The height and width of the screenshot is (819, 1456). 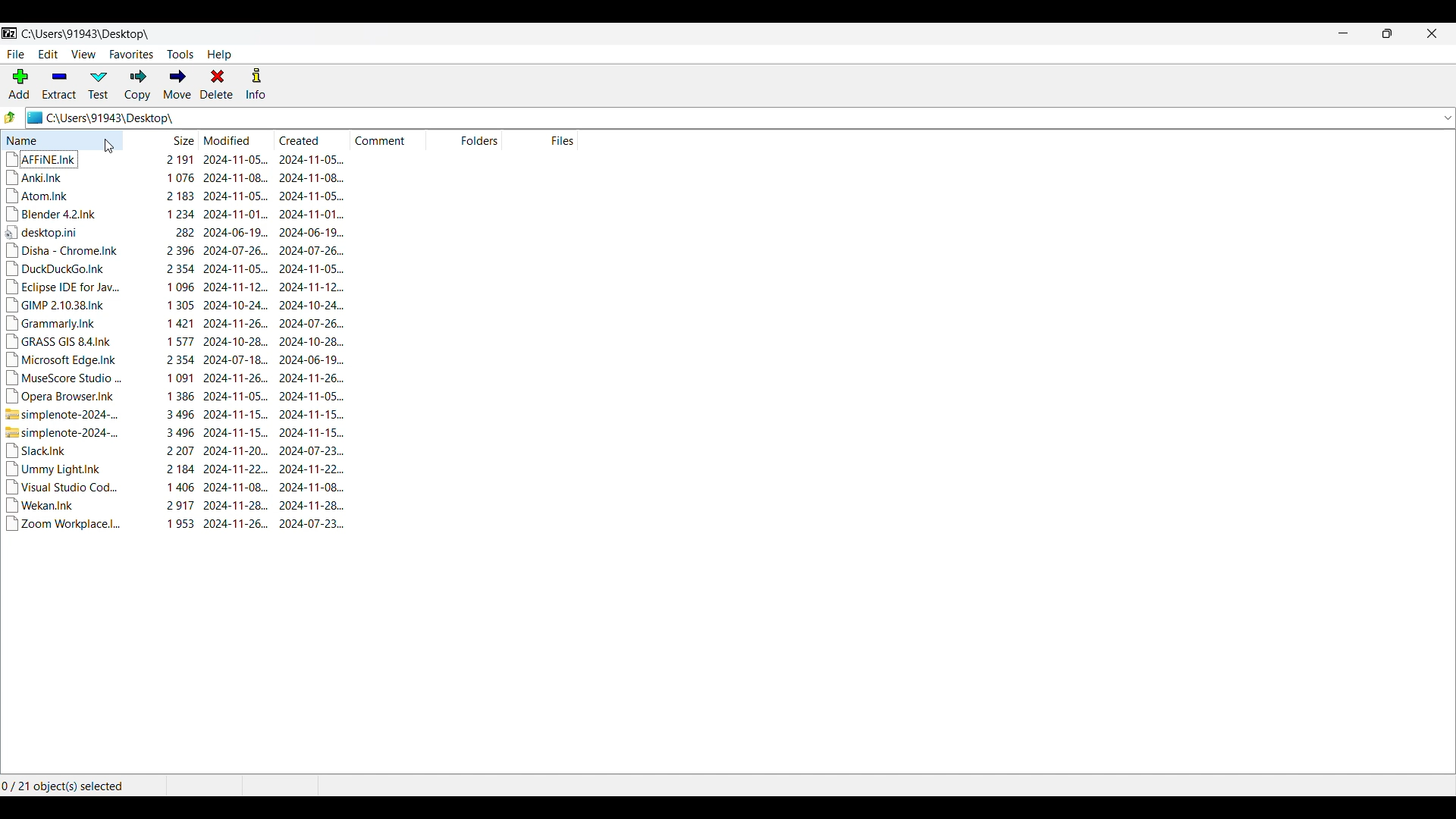 I want to click on Copy, so click(x=138, y=86).